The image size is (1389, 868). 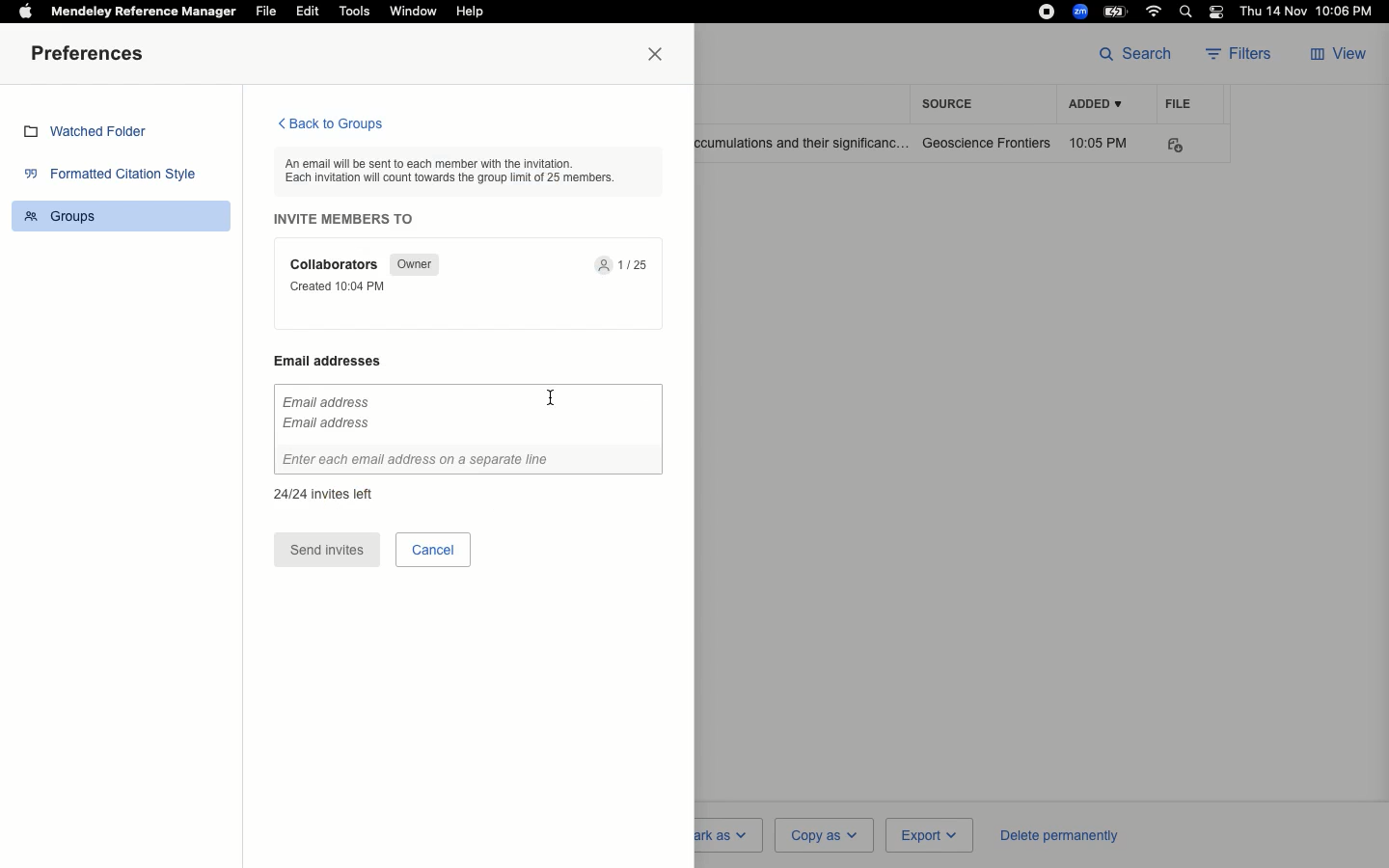 What do you see at coordinates (327, 551) in the screenshot?
I see `Send invites` at bounding box center [327, 551].